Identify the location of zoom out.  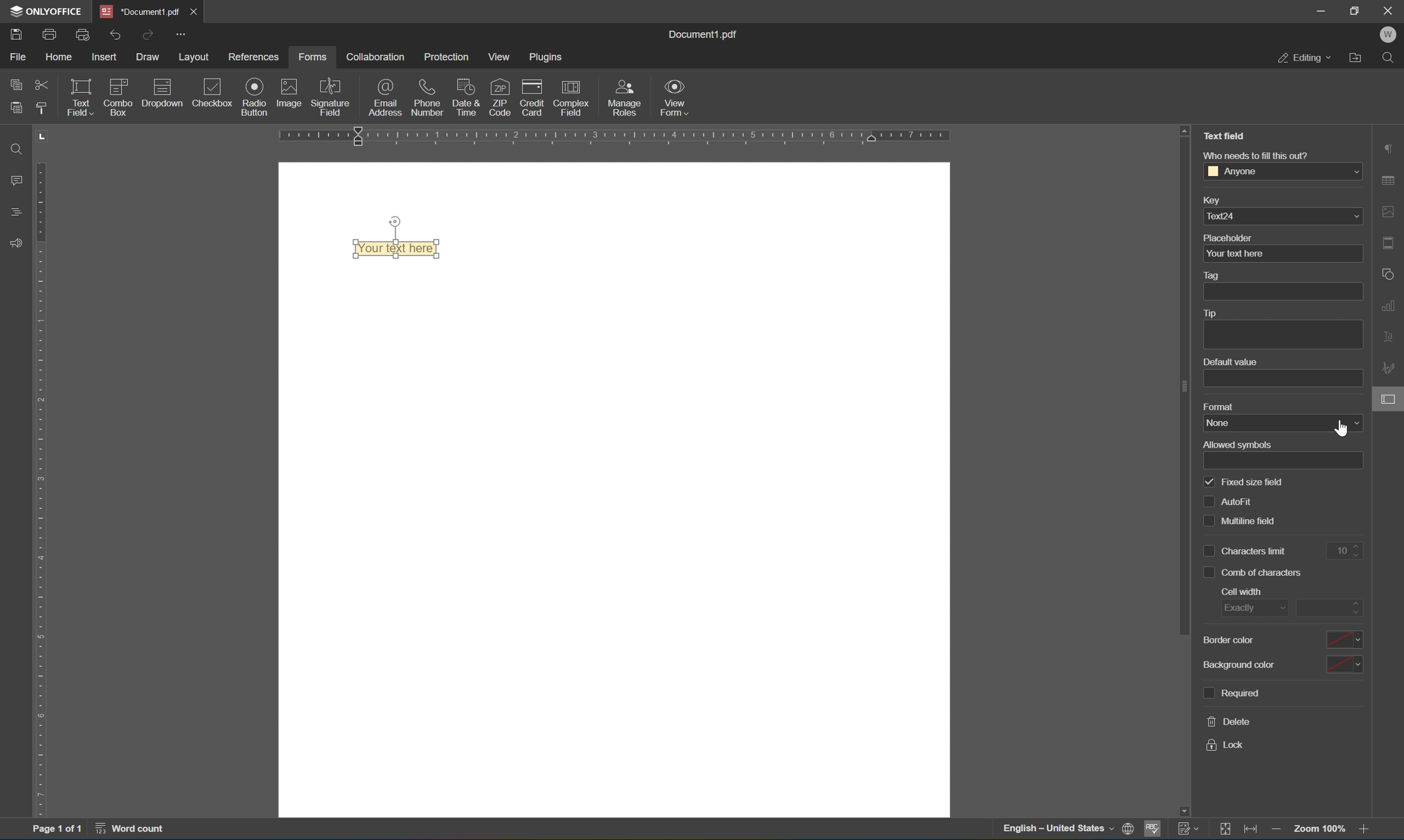
(1278, 832).